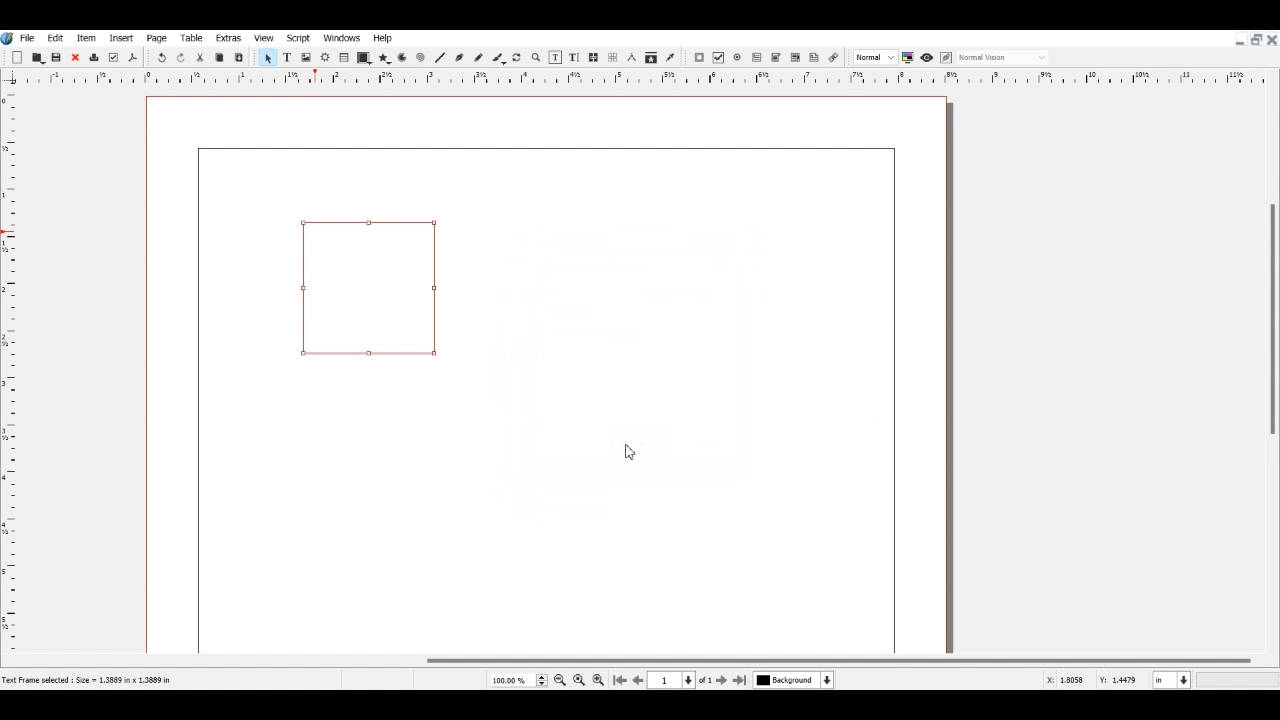  Describe the element at coordinates (628, 79) in the screenshot. I see `Vertical scale` at that location.